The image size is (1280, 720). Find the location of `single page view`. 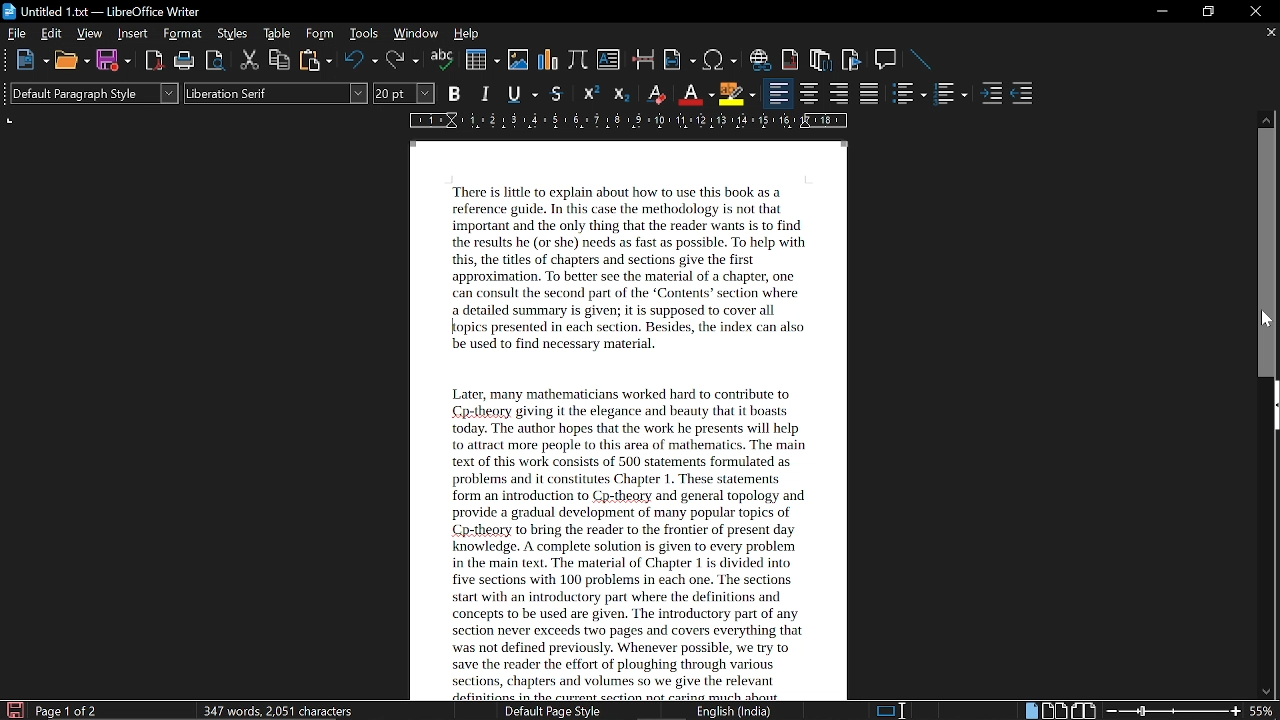

single page view is located at coordinates (1030, 710).